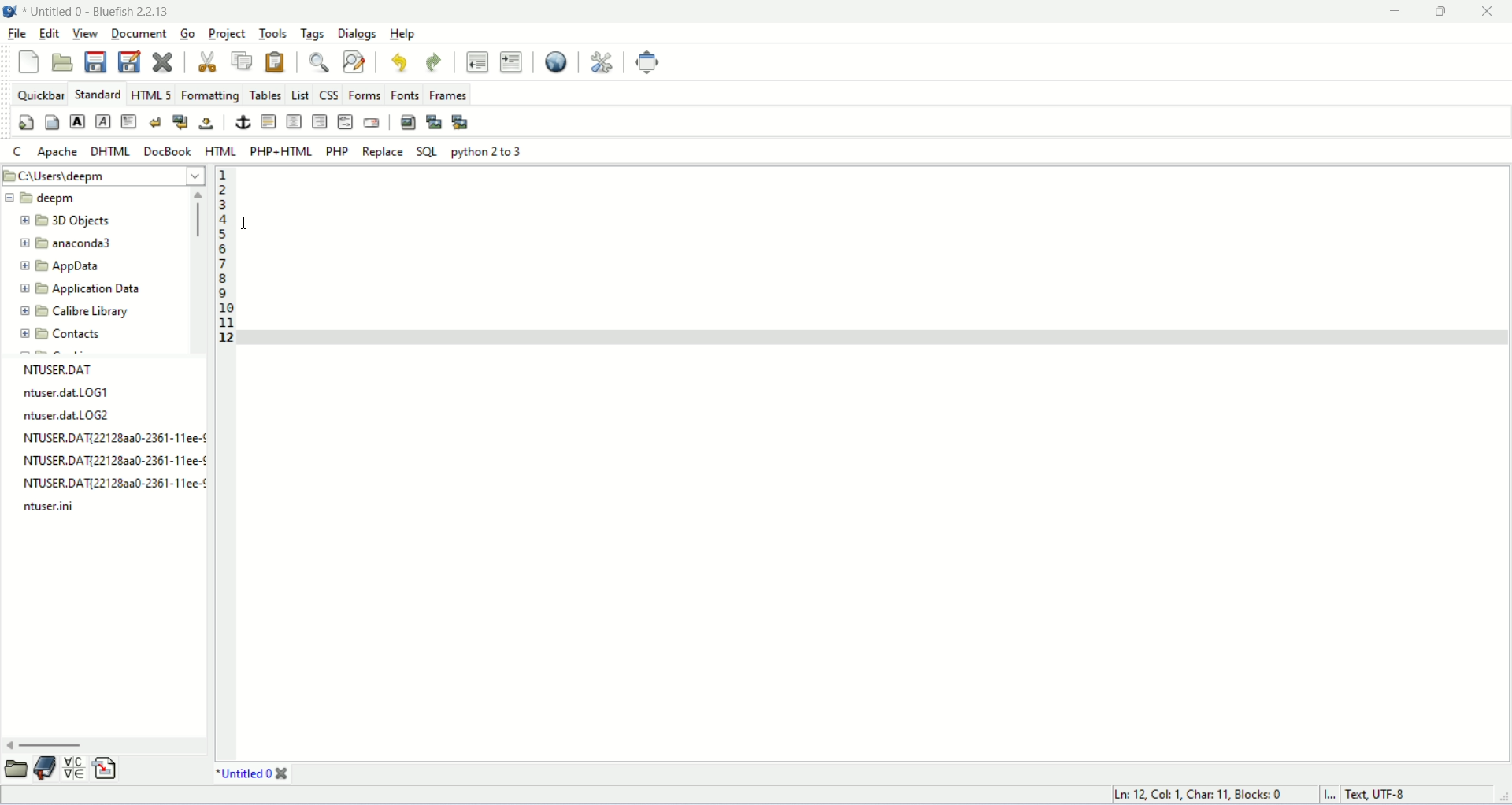 The height and width of the screenshot is (805, 1512). What do you see at coordinates (1488, 11) in the screenshot?
I see `close` at bounding box center [1488, 11].